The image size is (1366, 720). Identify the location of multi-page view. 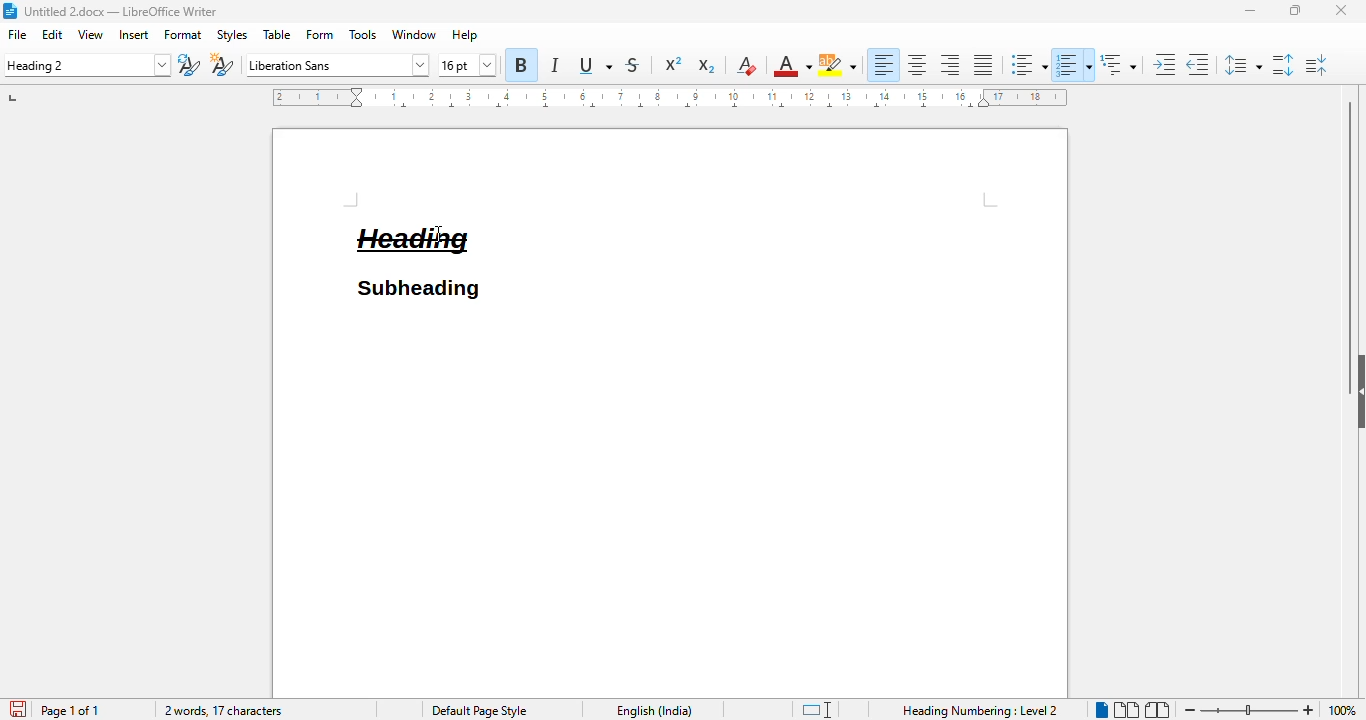
(1126, 710).